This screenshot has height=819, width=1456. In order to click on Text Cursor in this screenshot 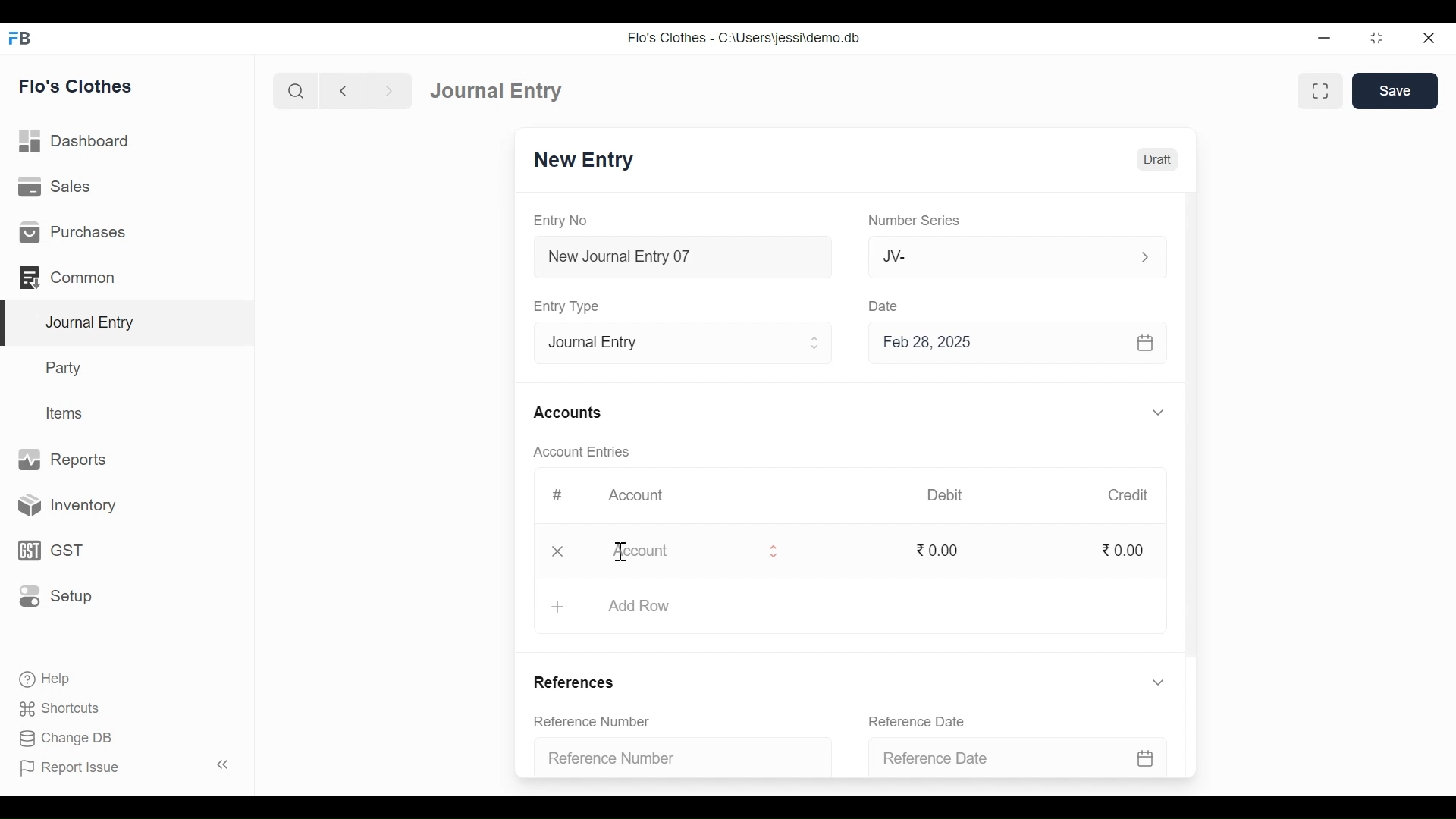, I will do `click(621, 553)`.